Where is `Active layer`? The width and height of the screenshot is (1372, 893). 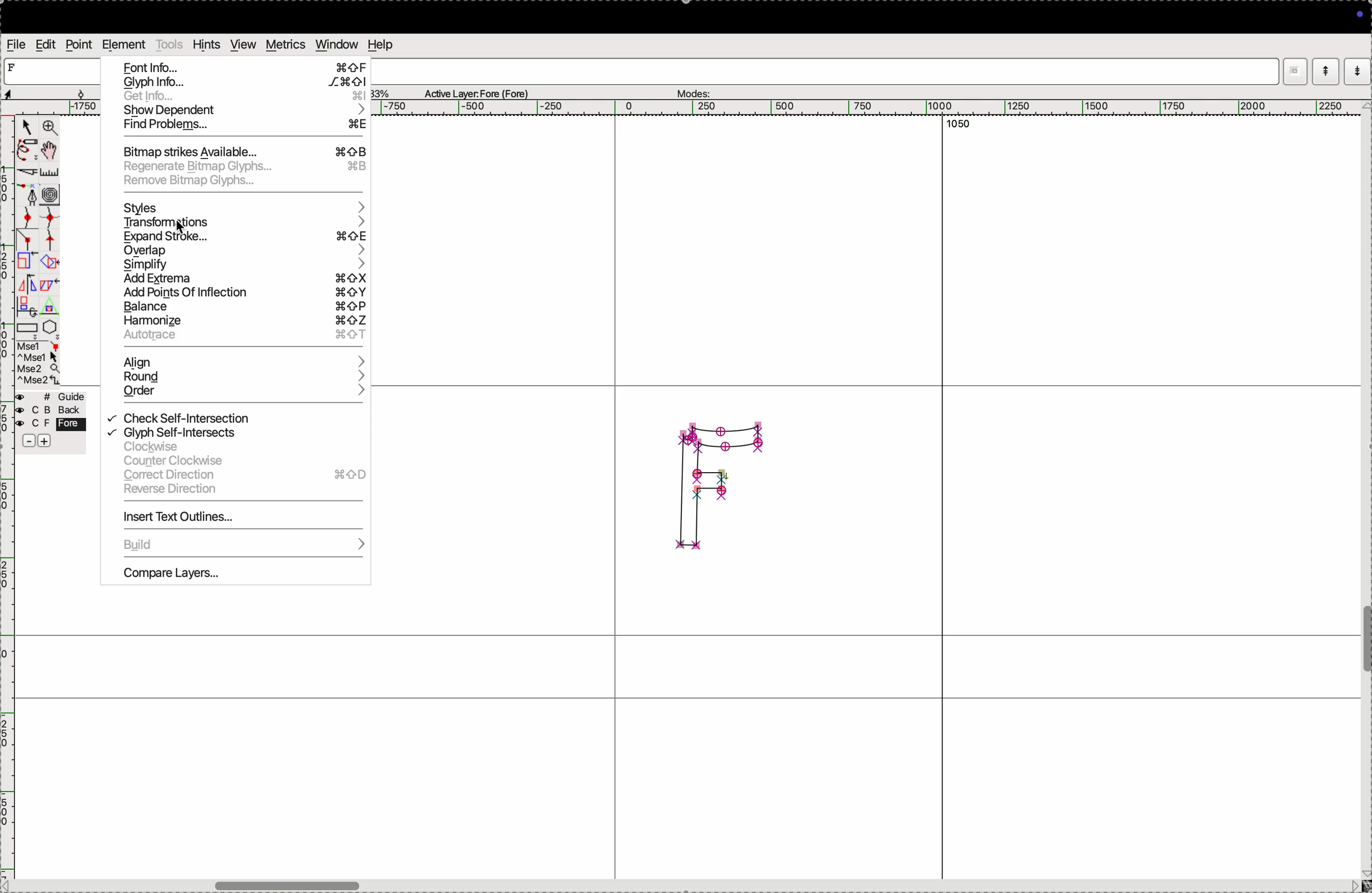 Active layer is located at coordinates (477, 92).